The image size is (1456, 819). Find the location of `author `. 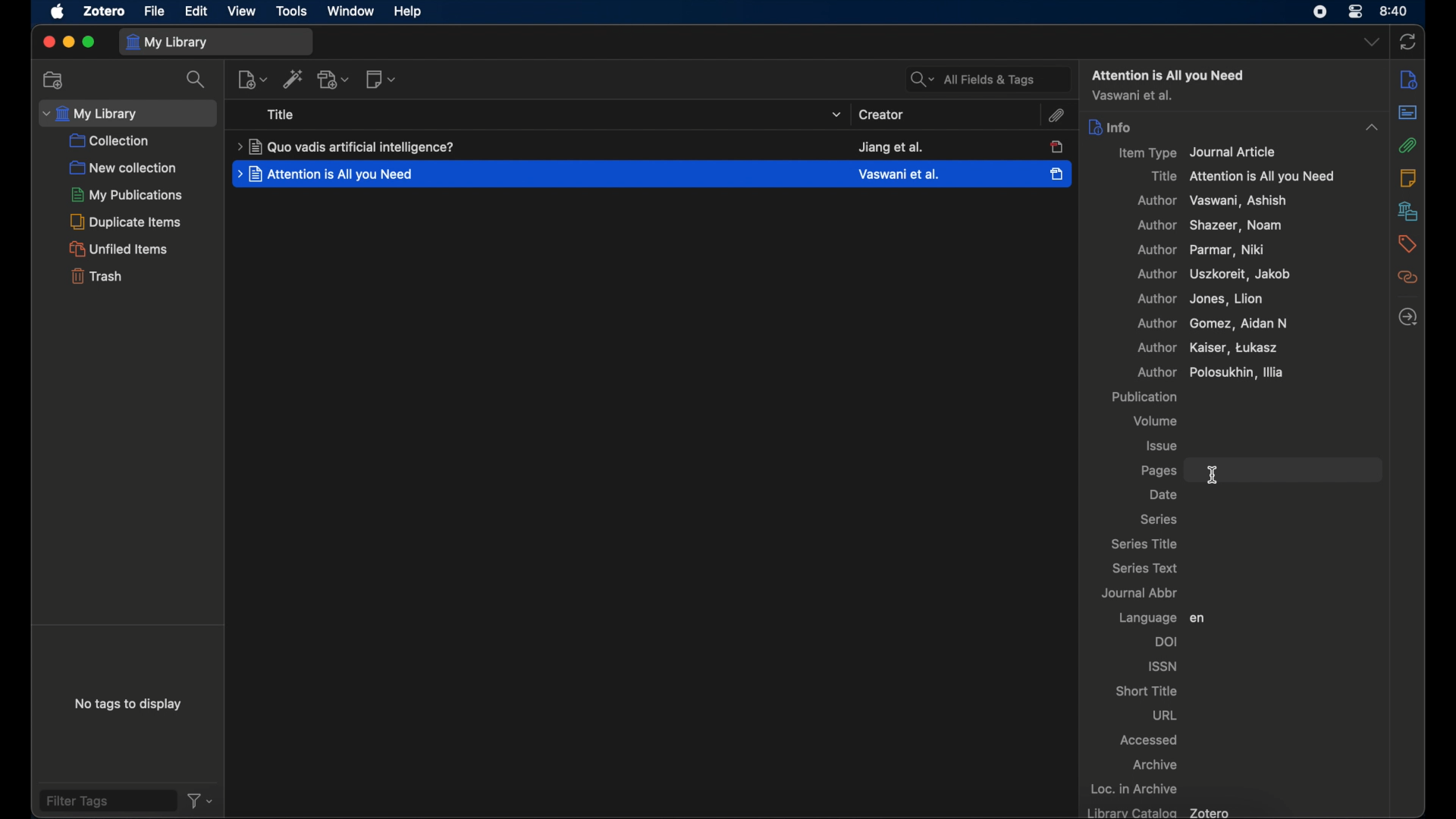

author  is located at coordinates (1133, 96).